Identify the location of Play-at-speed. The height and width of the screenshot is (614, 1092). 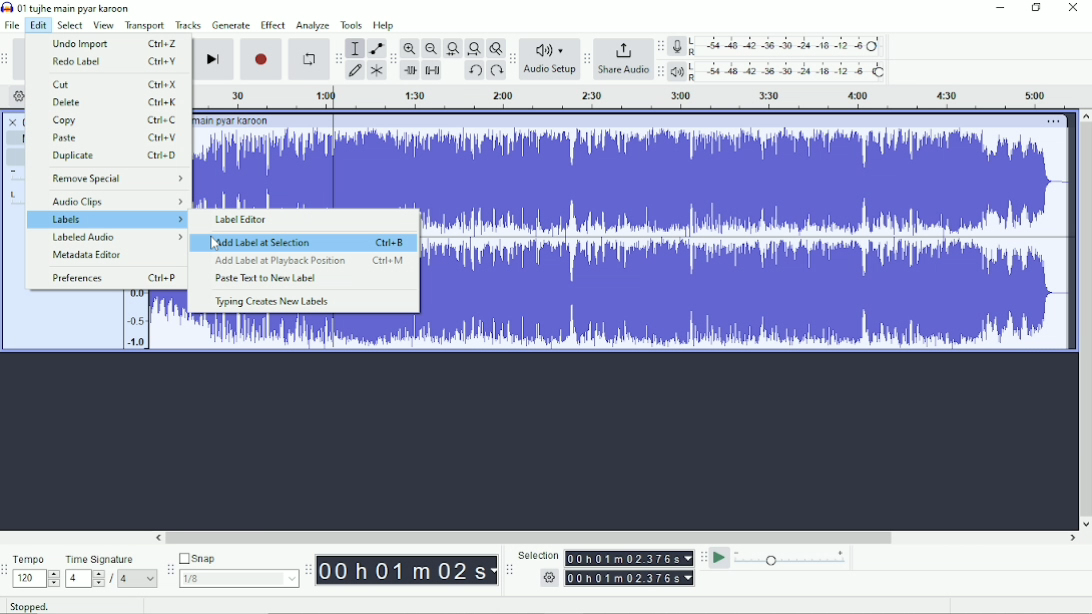
(719, 558).